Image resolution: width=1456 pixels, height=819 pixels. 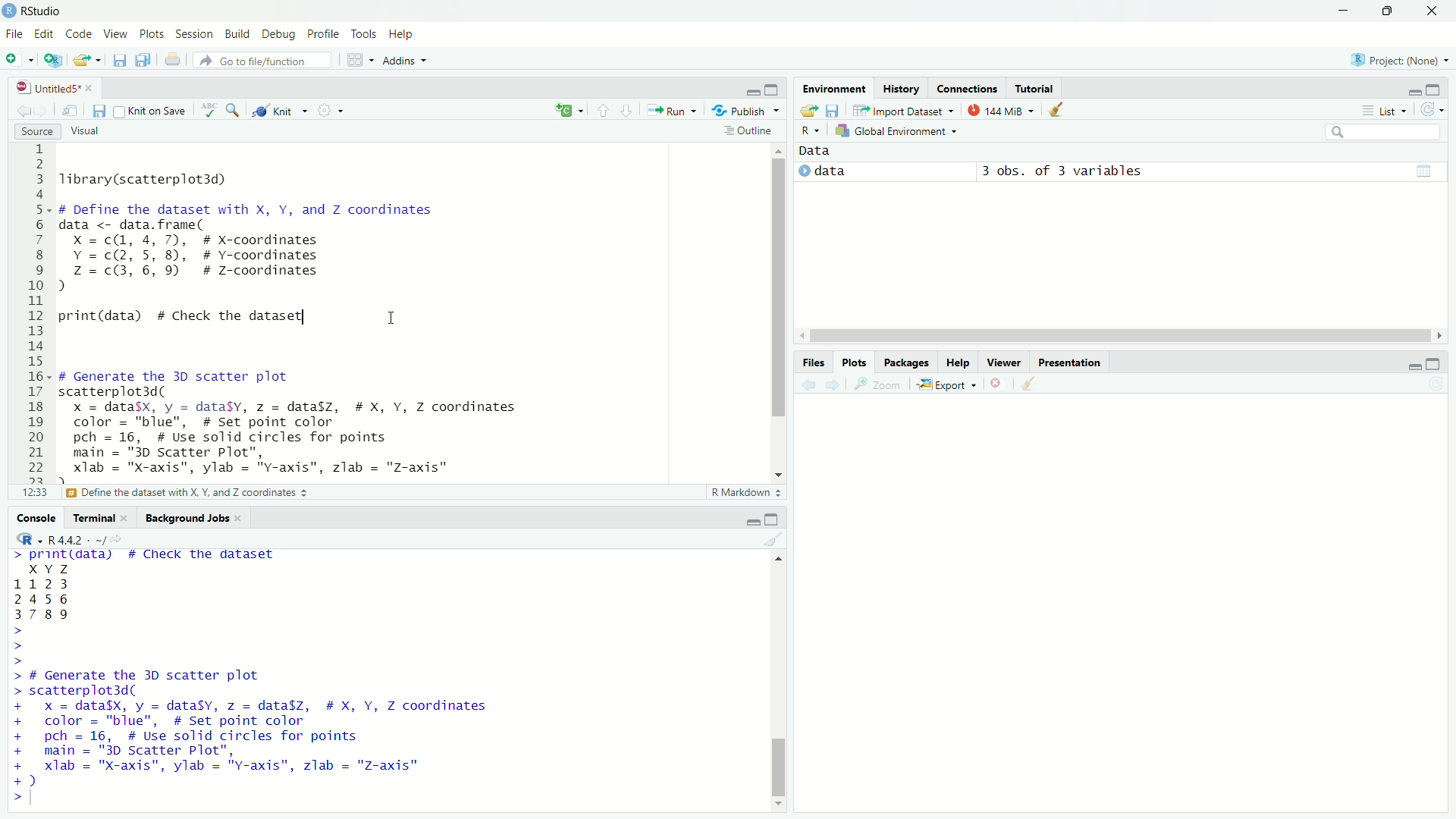 What do you see at coordinates (571, 111) in the screenshot?
I see `insert a new code chunk` at bounding box center [571, 111].